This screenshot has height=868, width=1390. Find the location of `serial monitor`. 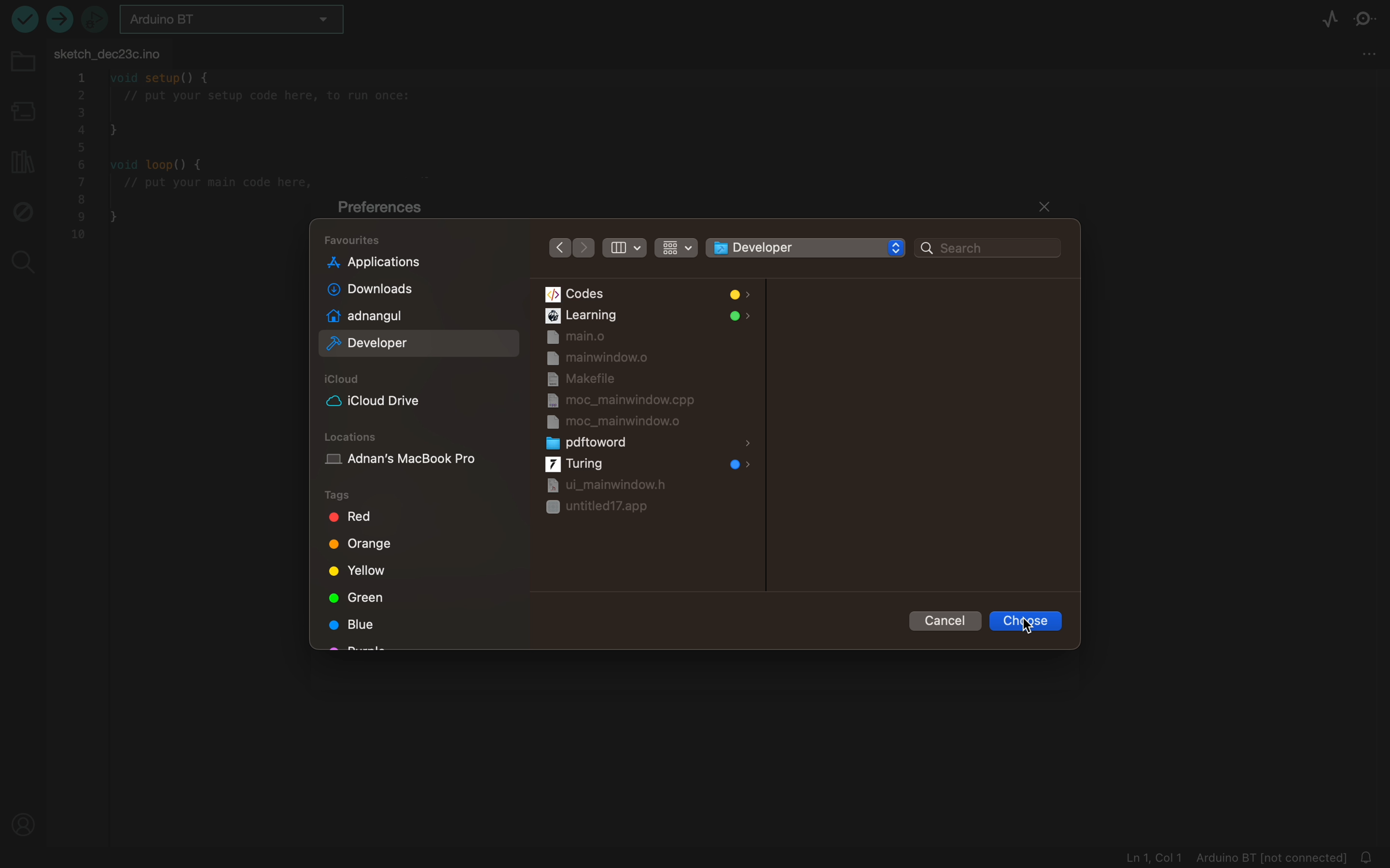

serial monitor is located at coordinates (1368, 18).